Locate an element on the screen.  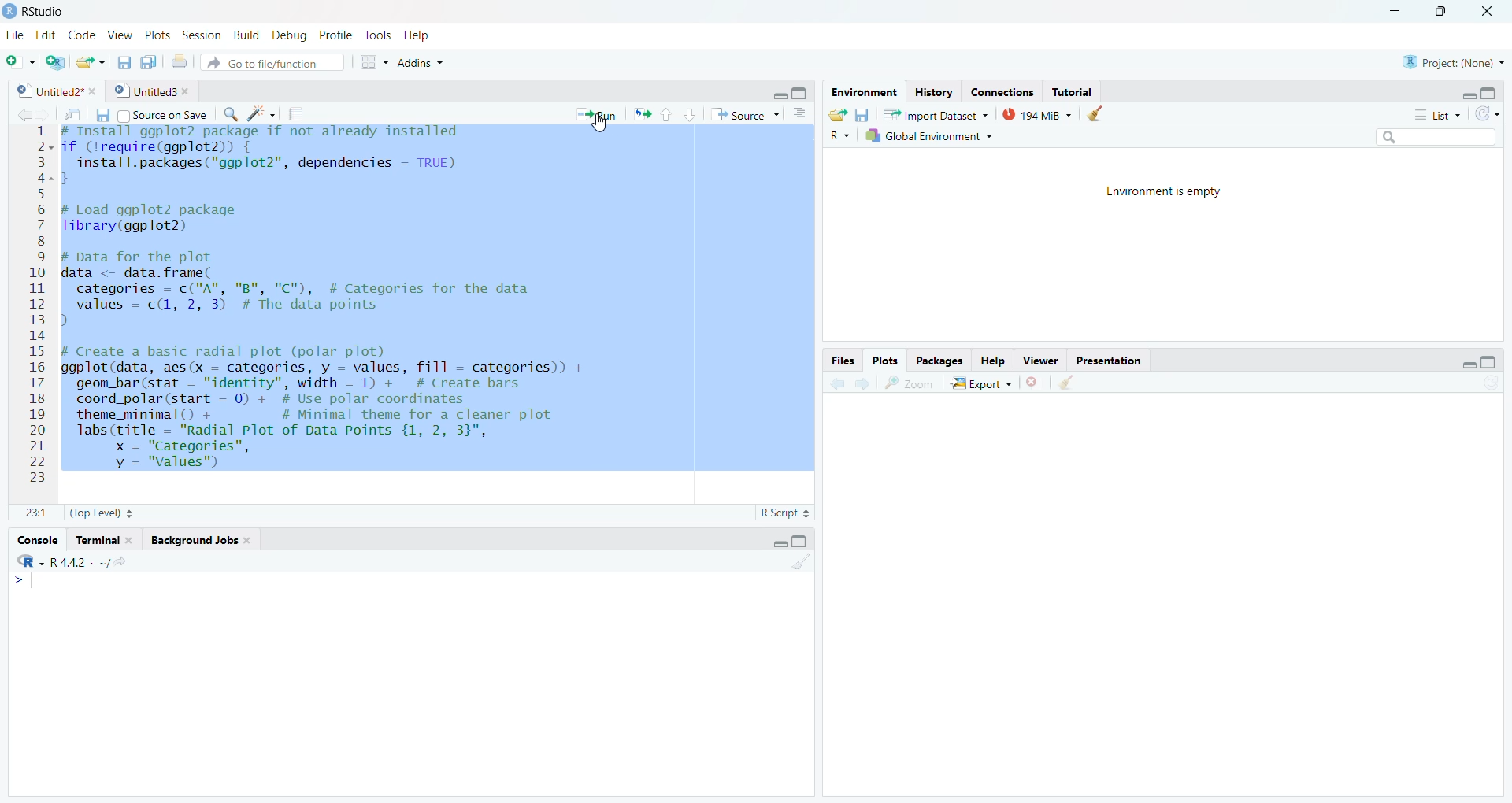
Help is located at coordinates (991, 362).